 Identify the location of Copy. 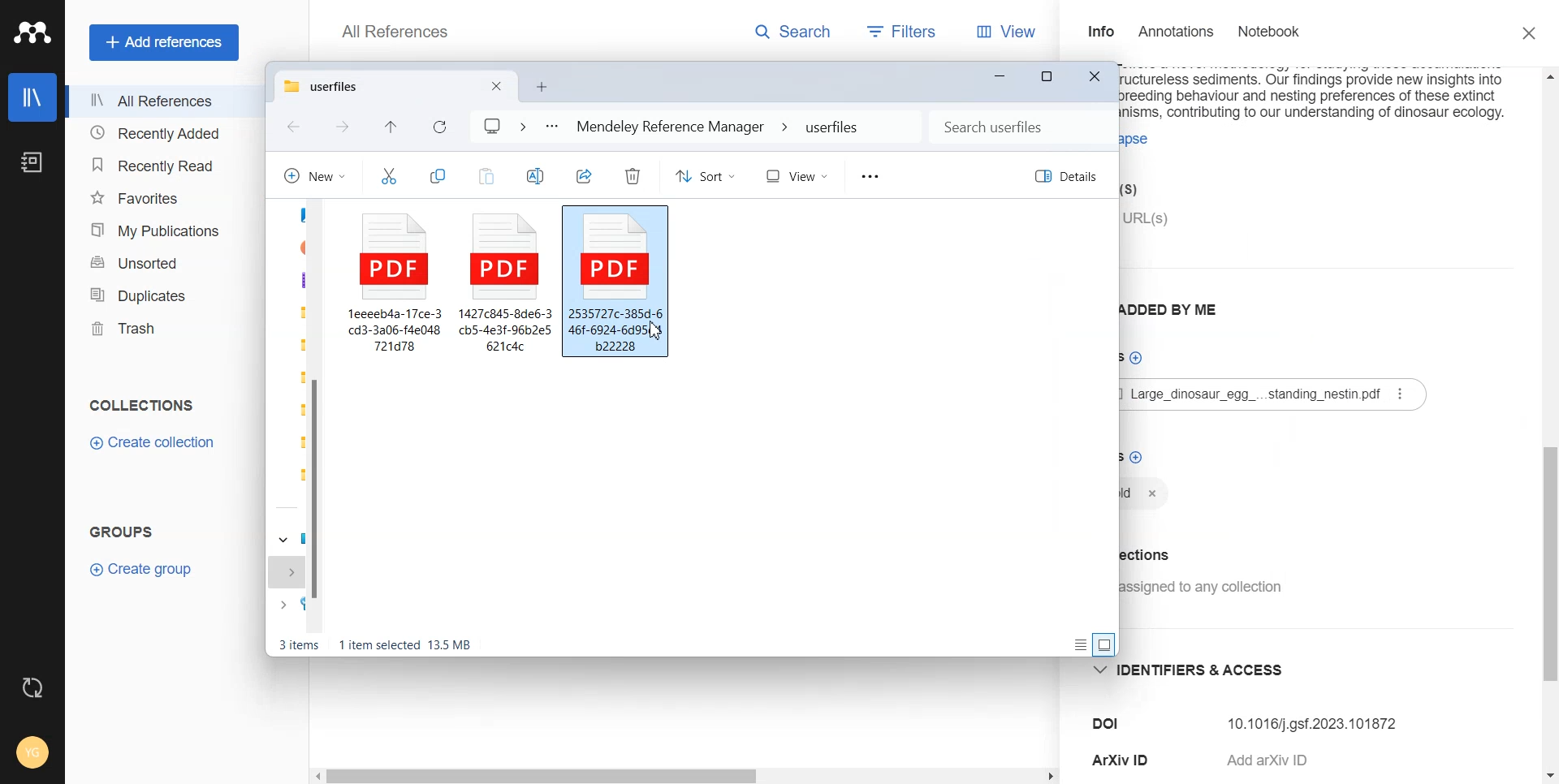
(438, 174).